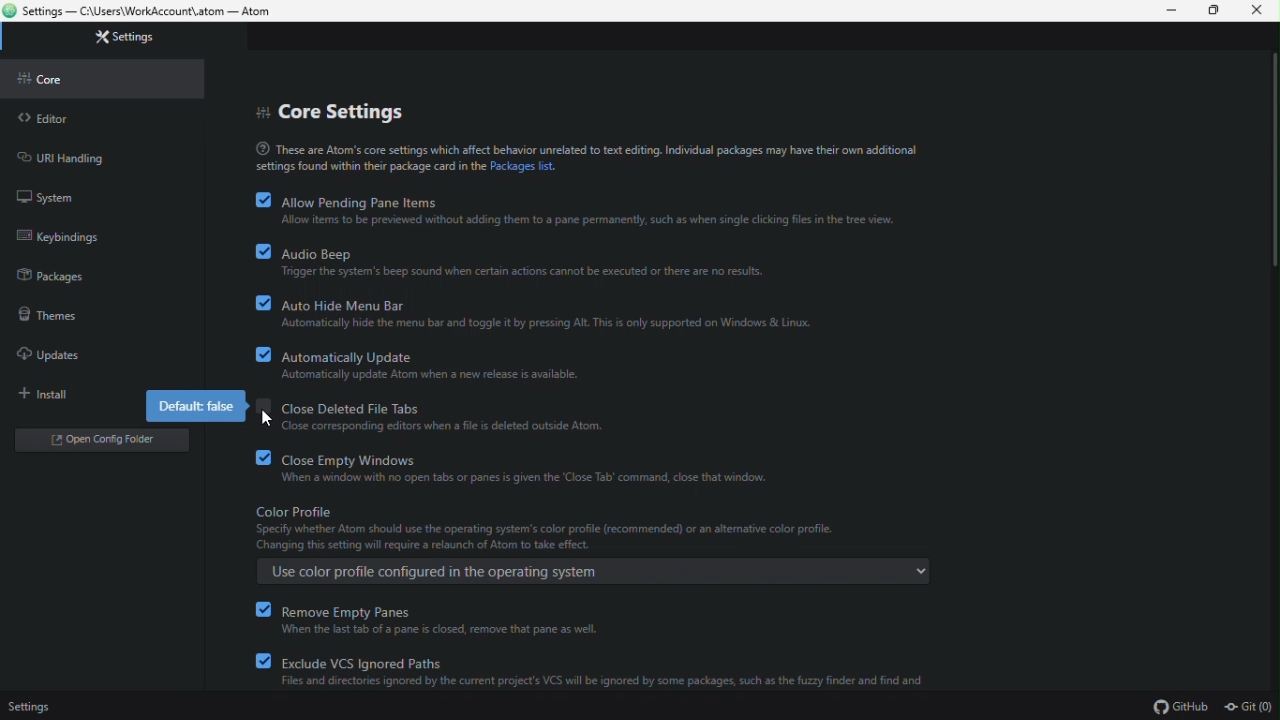  I want to click on automatically update, so click(434, 364).